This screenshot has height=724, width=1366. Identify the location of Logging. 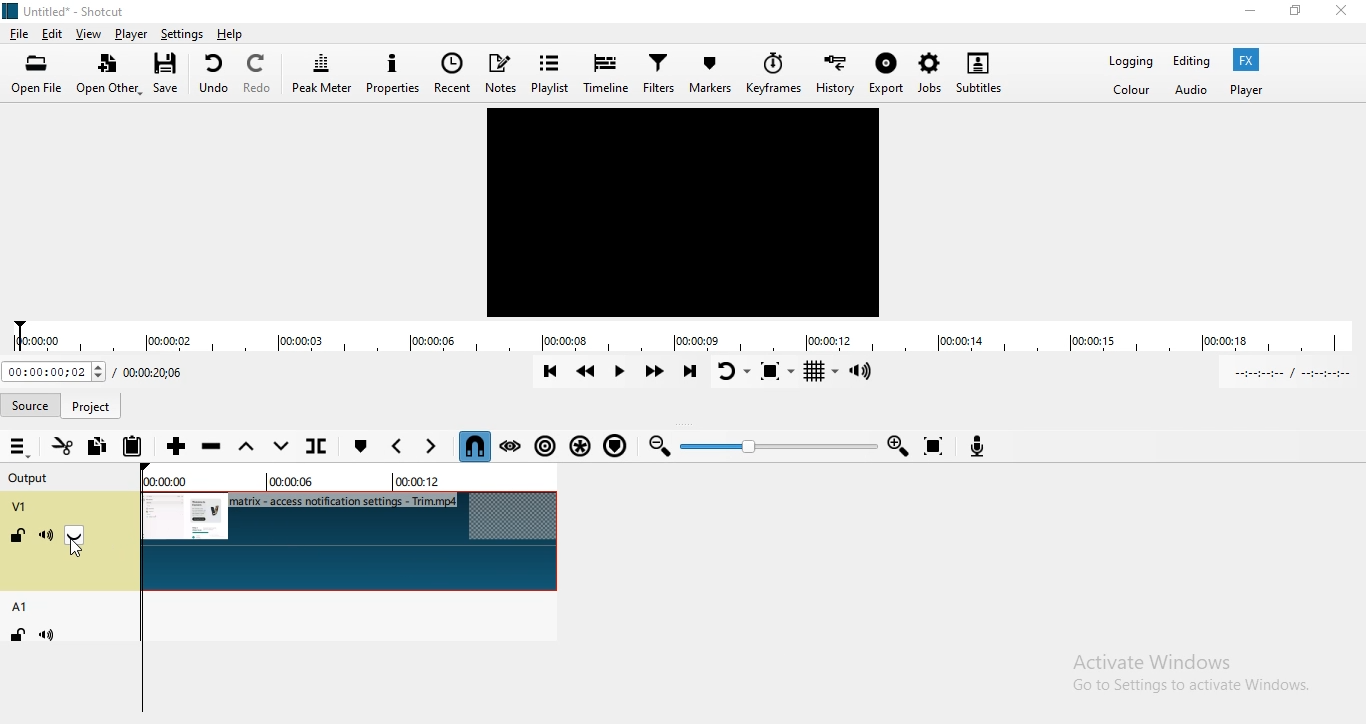
(1128, 62).